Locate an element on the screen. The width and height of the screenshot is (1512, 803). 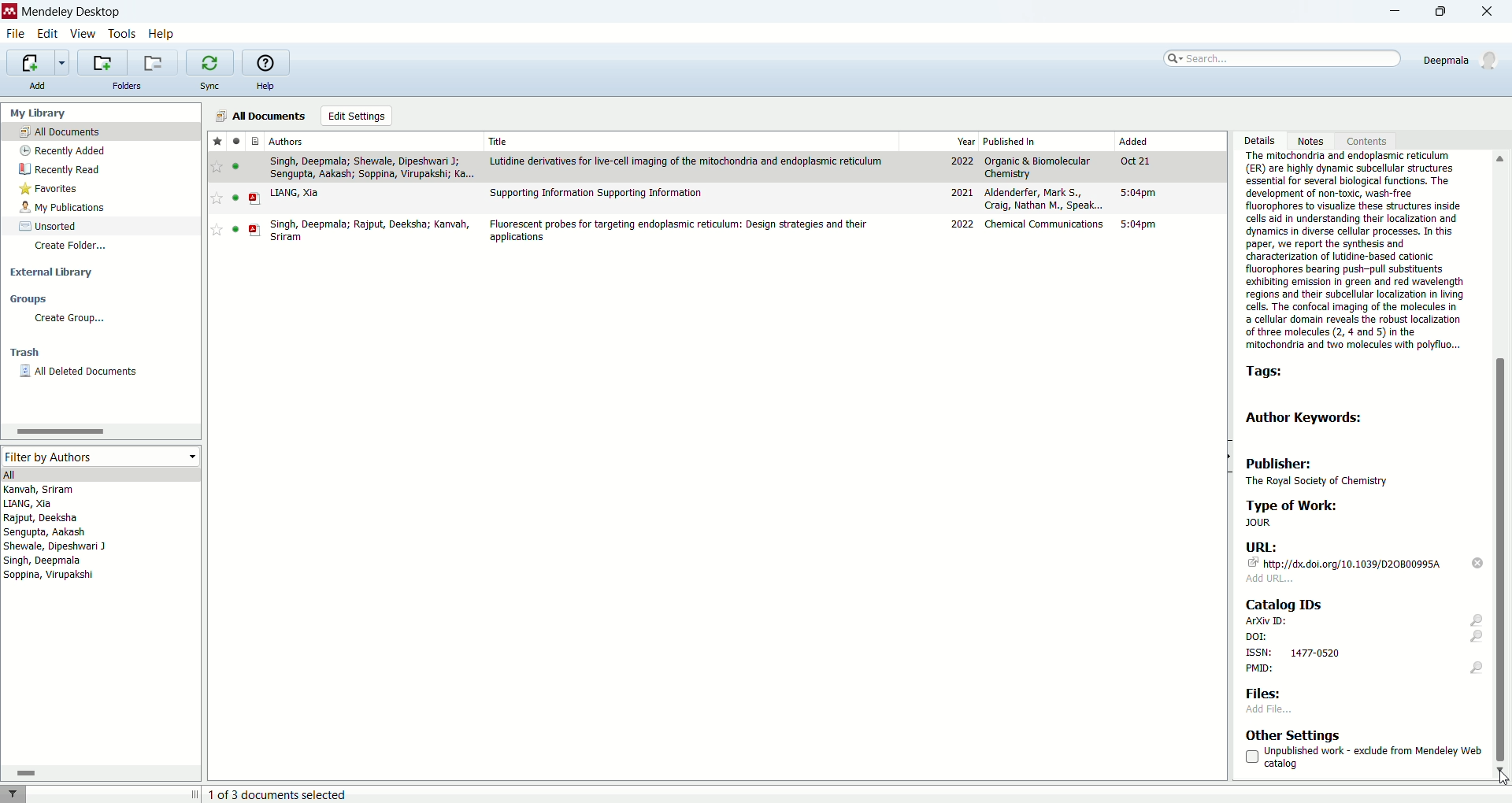
add is located at coordinates (35, 85).